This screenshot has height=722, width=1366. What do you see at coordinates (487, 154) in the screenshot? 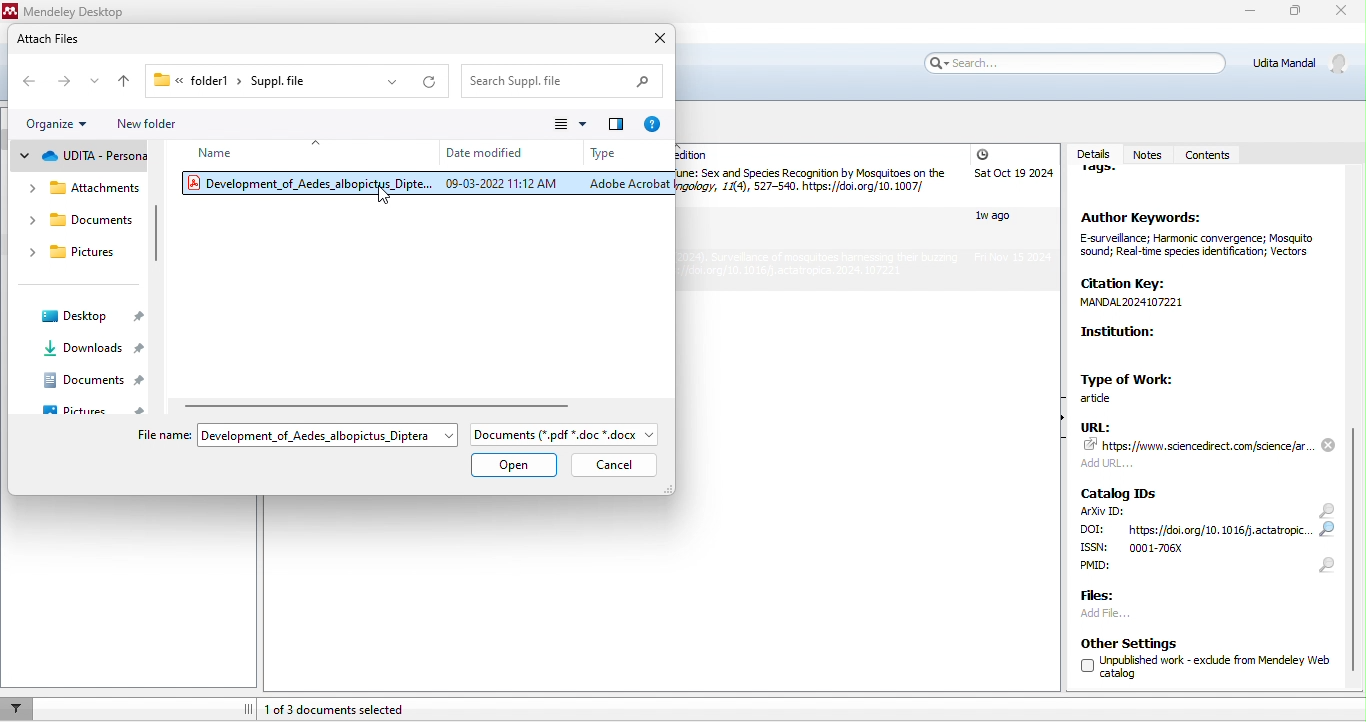
I see `date modified` at bounding box center [487, 154].